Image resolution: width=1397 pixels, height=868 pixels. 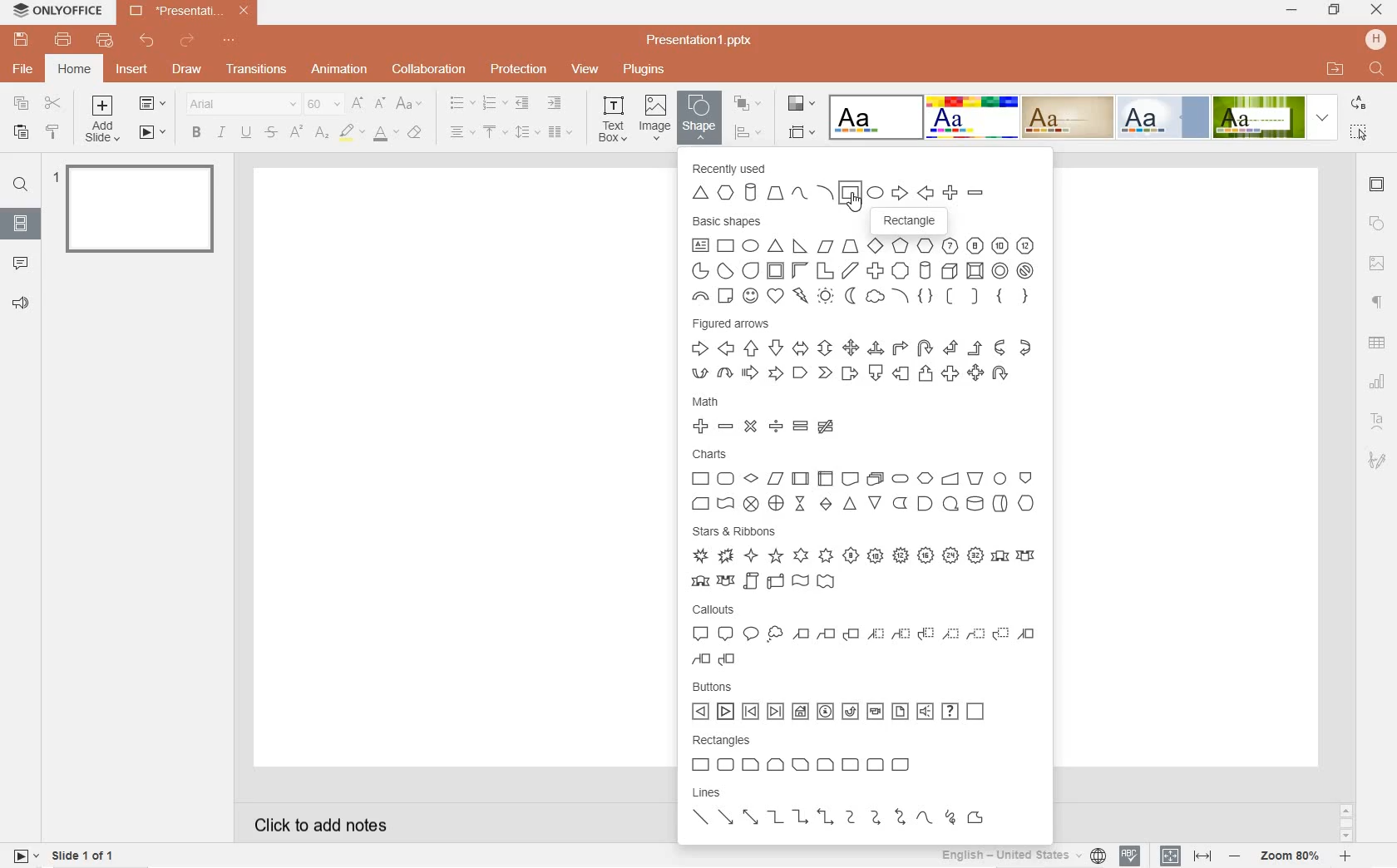 What do you see at coordinates (701, 555) in the screenshot?
I see `Explosion 1` at bounding box center [701, 555].